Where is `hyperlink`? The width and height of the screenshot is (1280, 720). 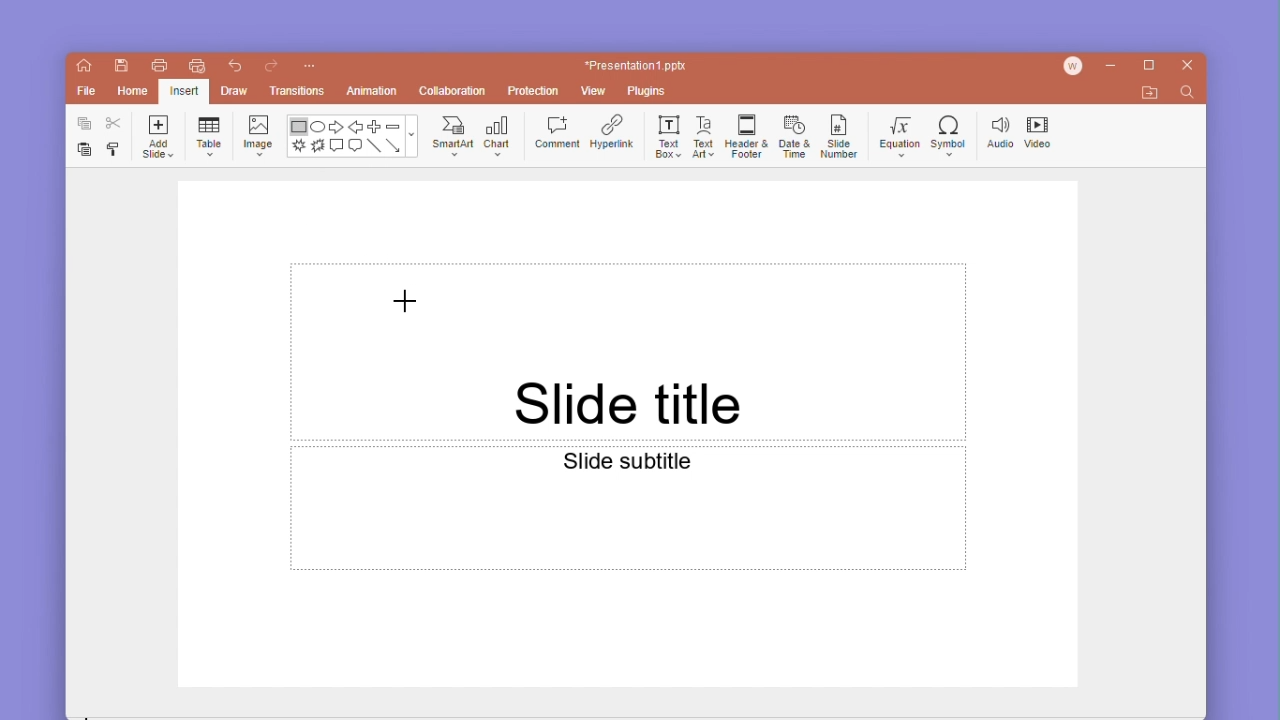
hyperlink is located at coordinates (612, 131).